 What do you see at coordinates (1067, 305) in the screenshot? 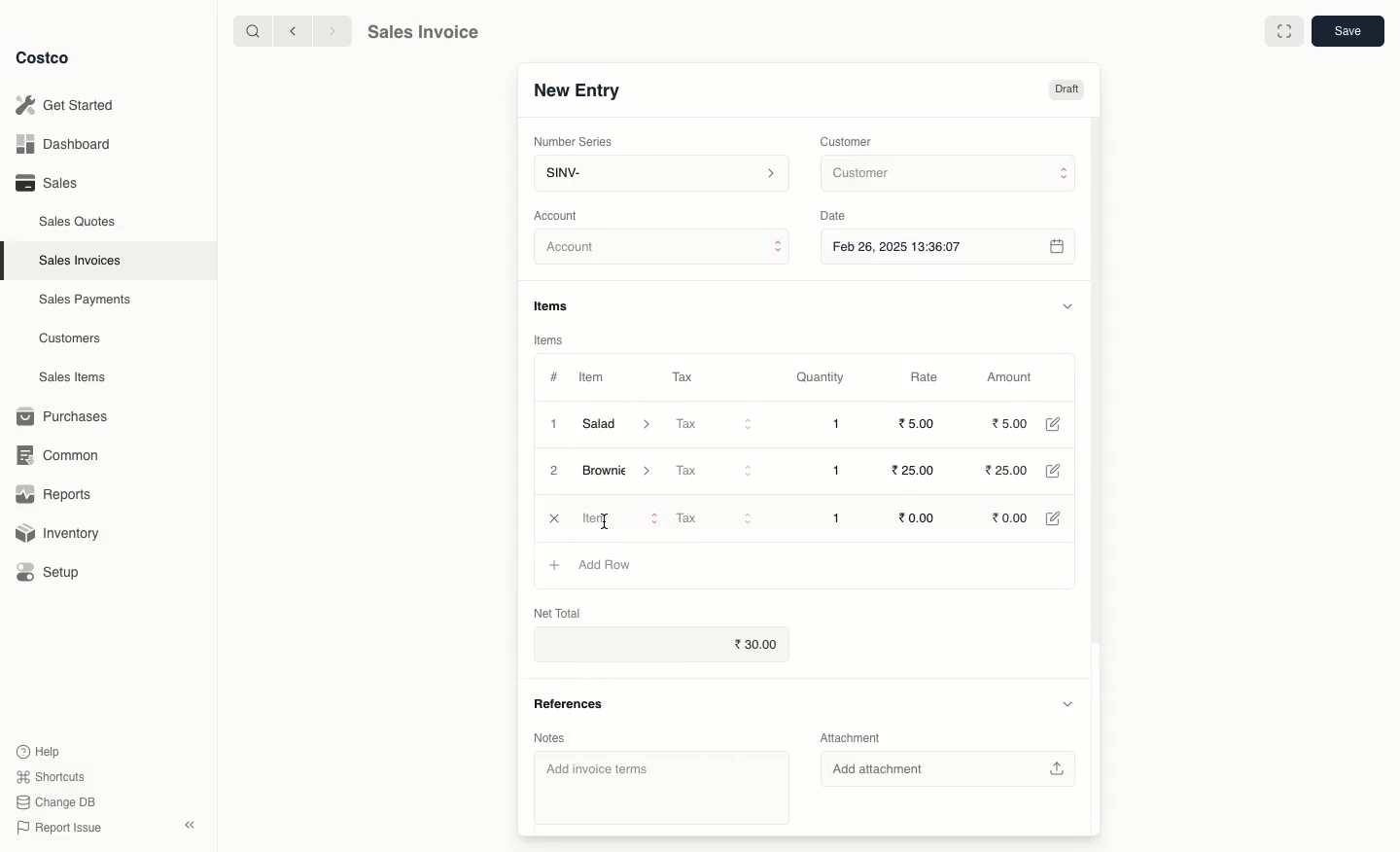
I see `Hide` at bounding box center [1067, 305].